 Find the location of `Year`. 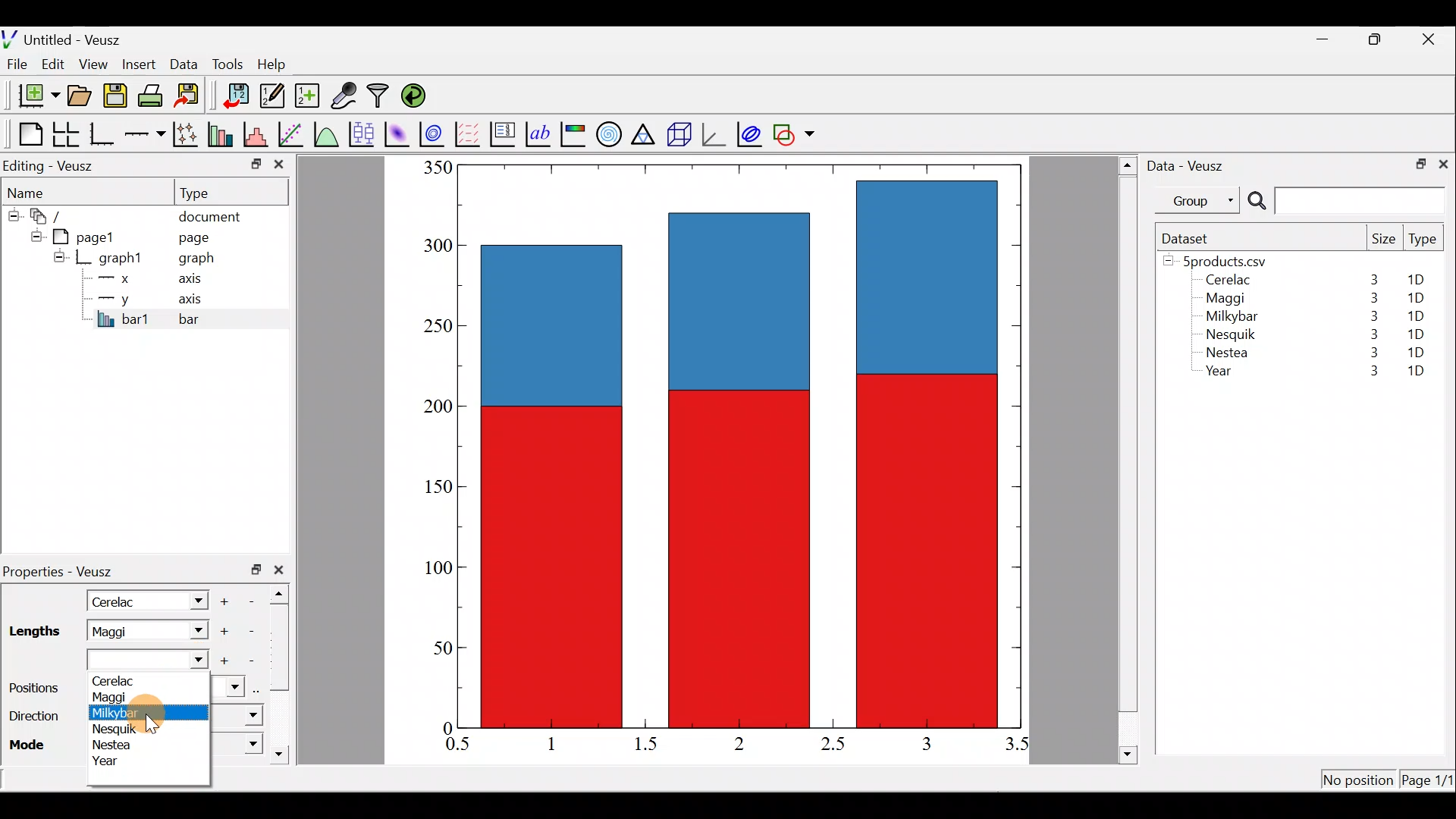

Year is located at coordinates (110, 761).